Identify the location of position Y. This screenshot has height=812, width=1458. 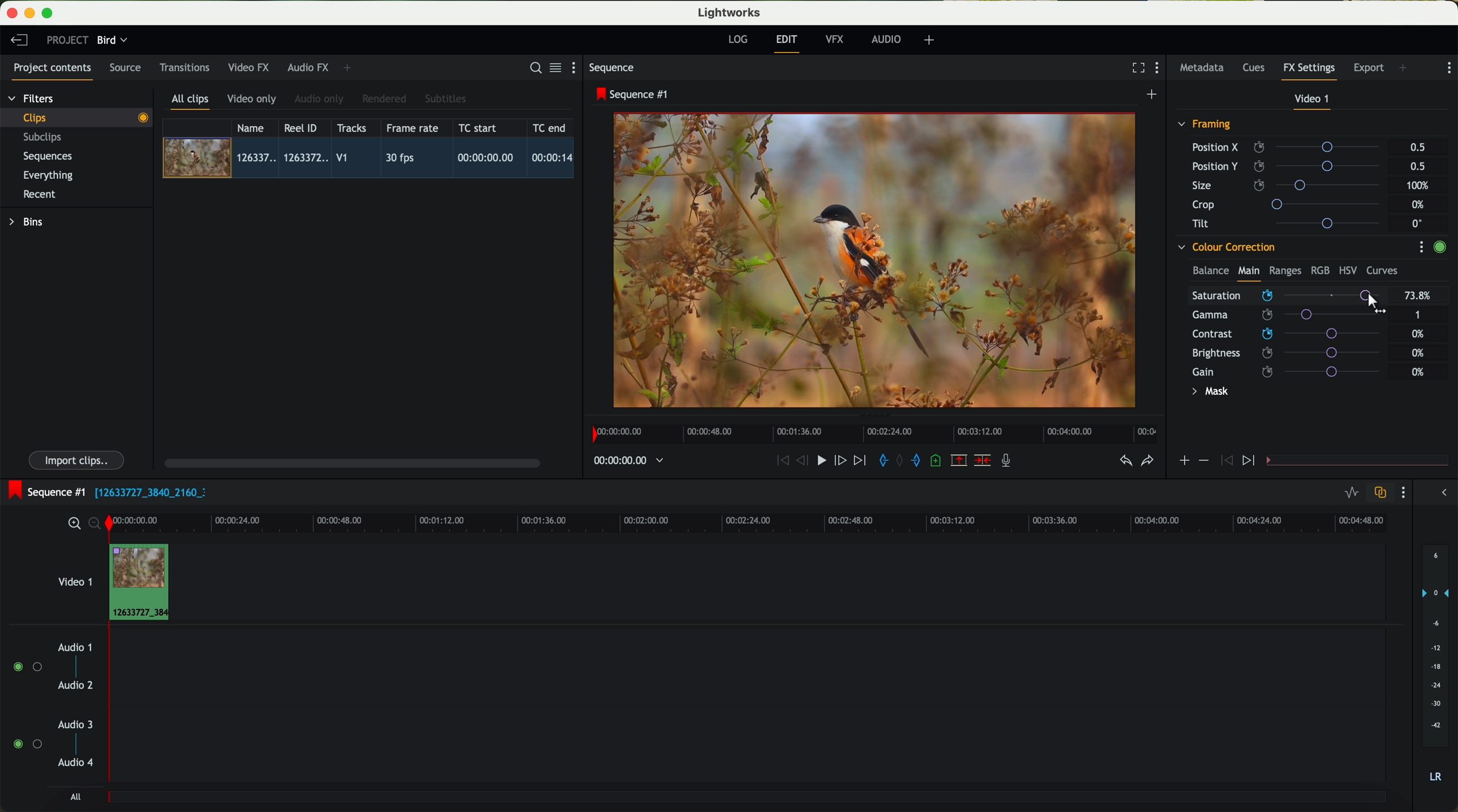
(1290, 166).